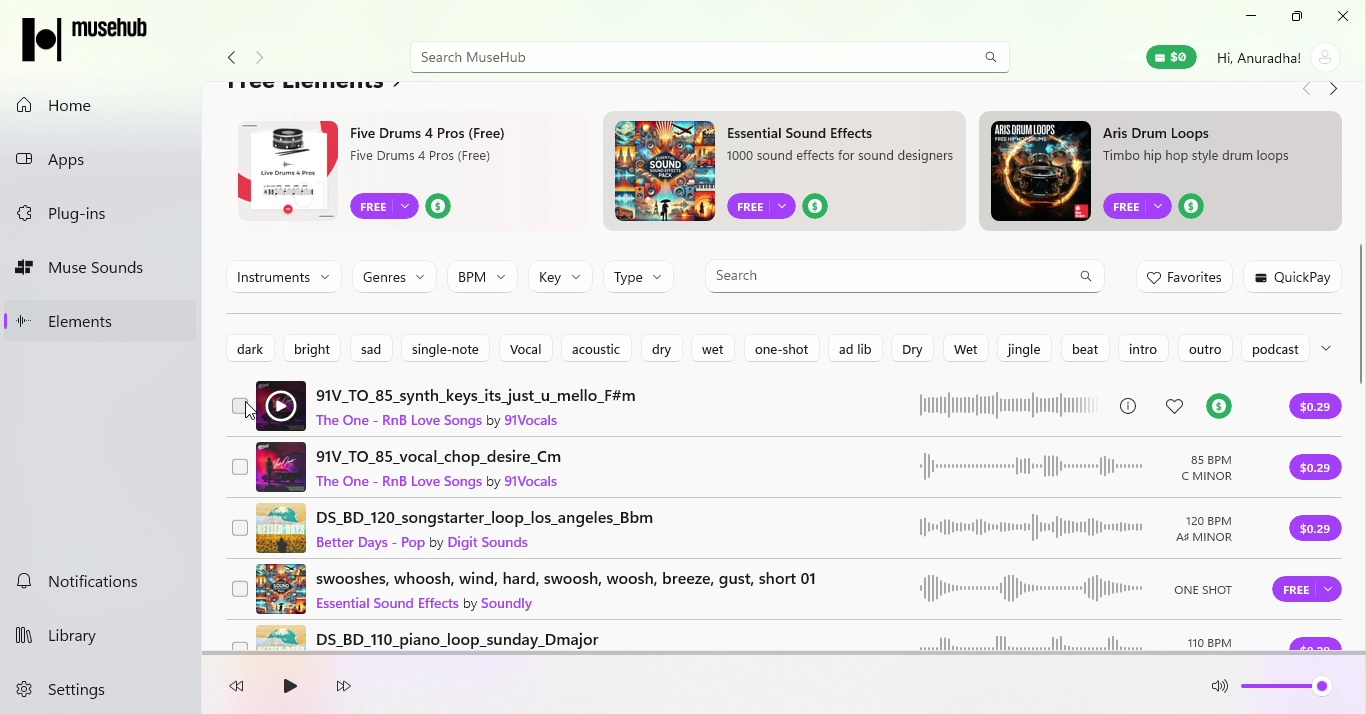  I want to click on Jingle, so click(1022, 348).